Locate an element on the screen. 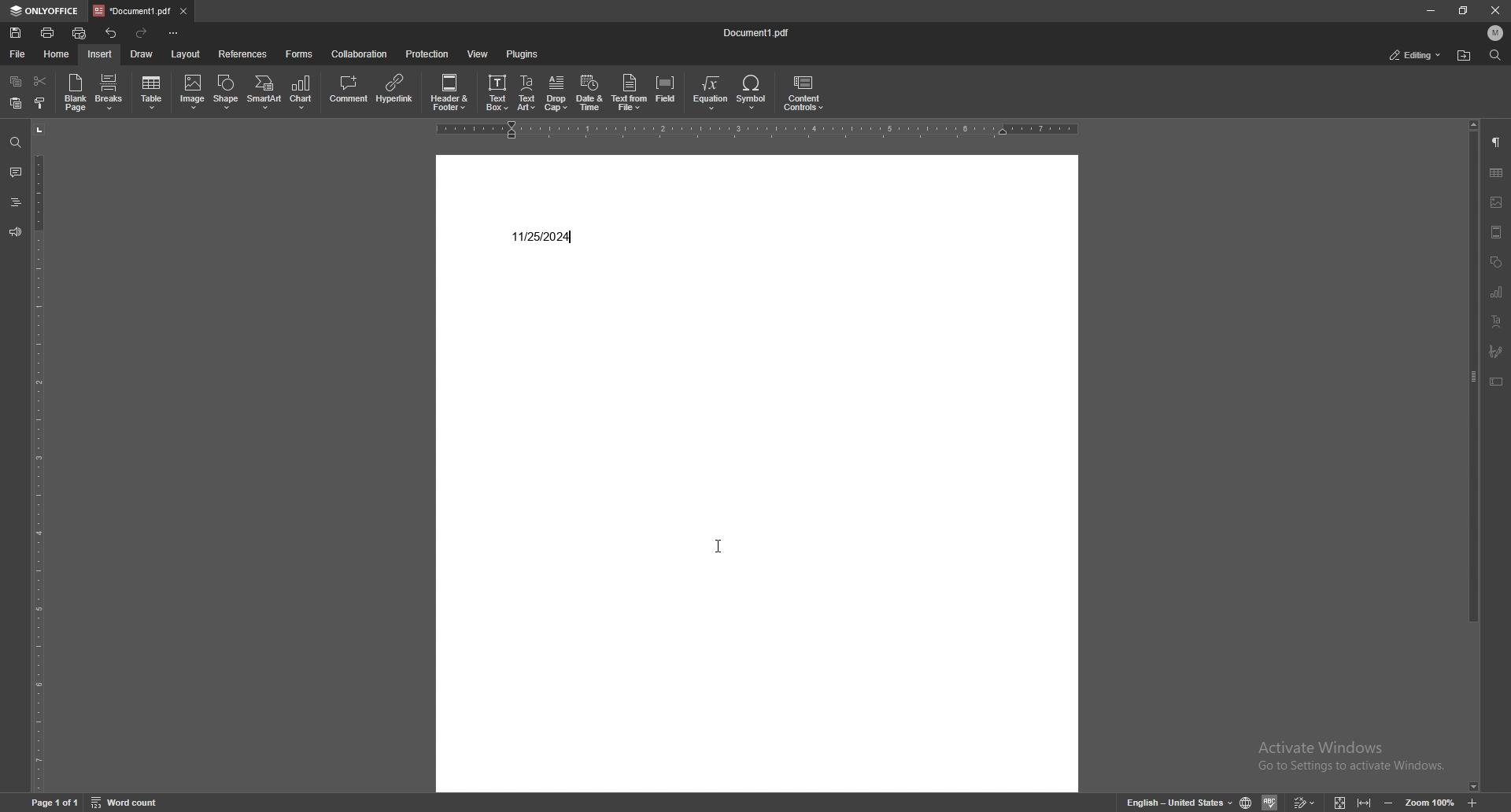 The width and height of the screenshot is (1511, 812). heading is located at coordinates (15, 203).